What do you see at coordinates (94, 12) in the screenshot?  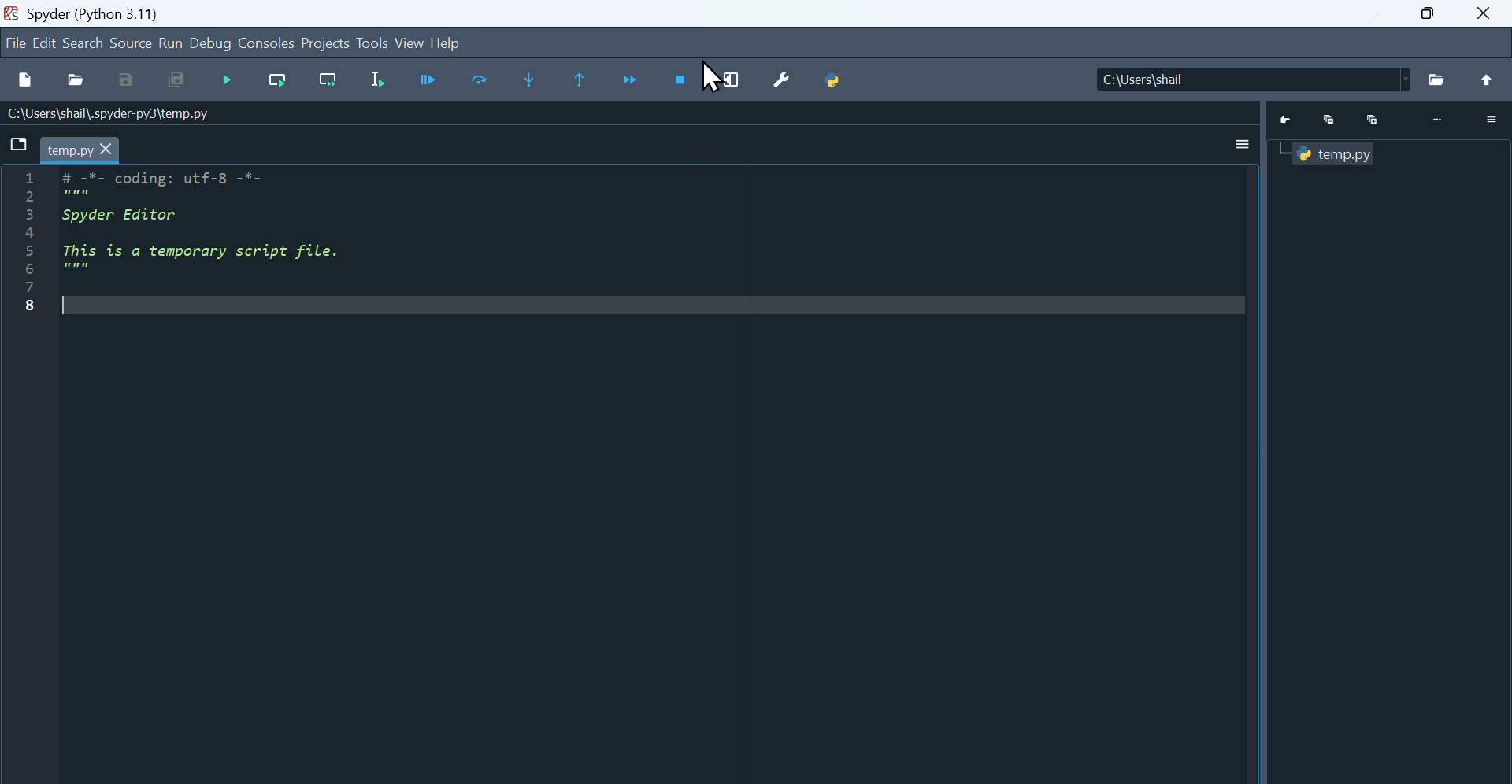 I see `Spyder` at bounding box center [94, 12].